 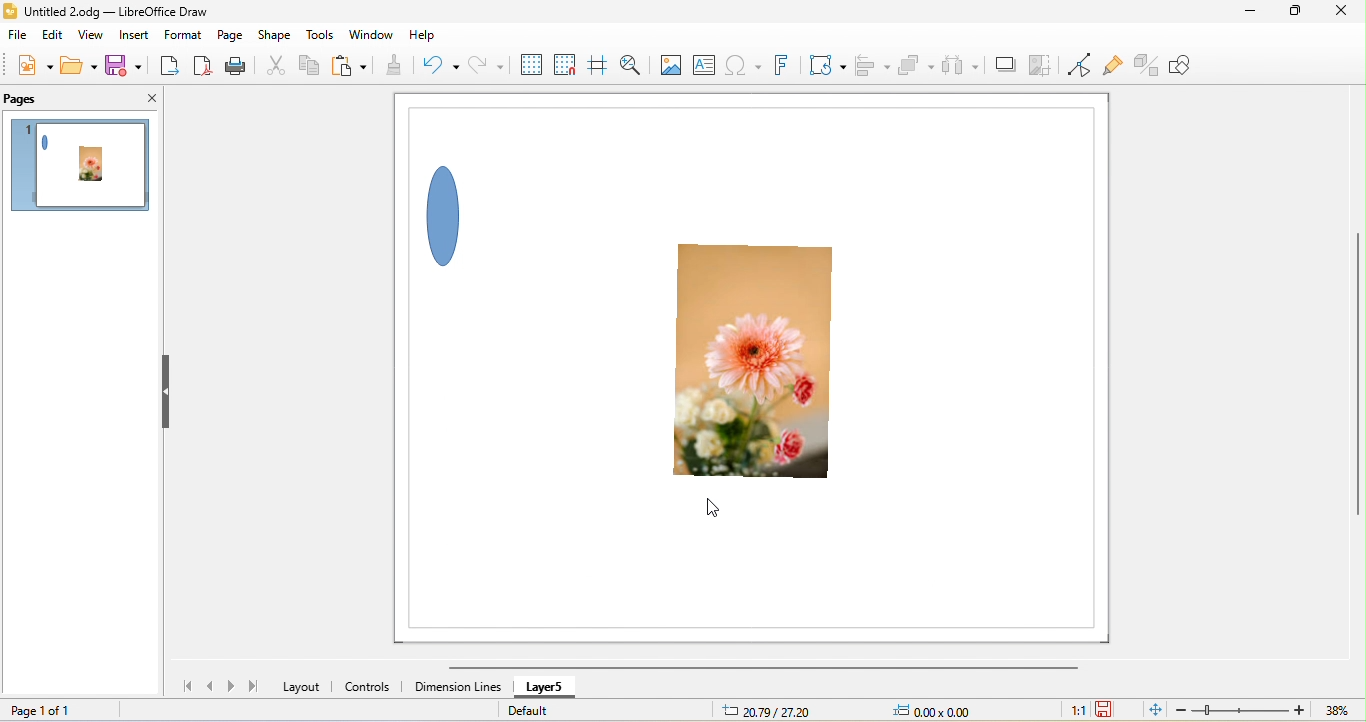 I want to click on toggle point edit mode, so click(x=1069, y=66).